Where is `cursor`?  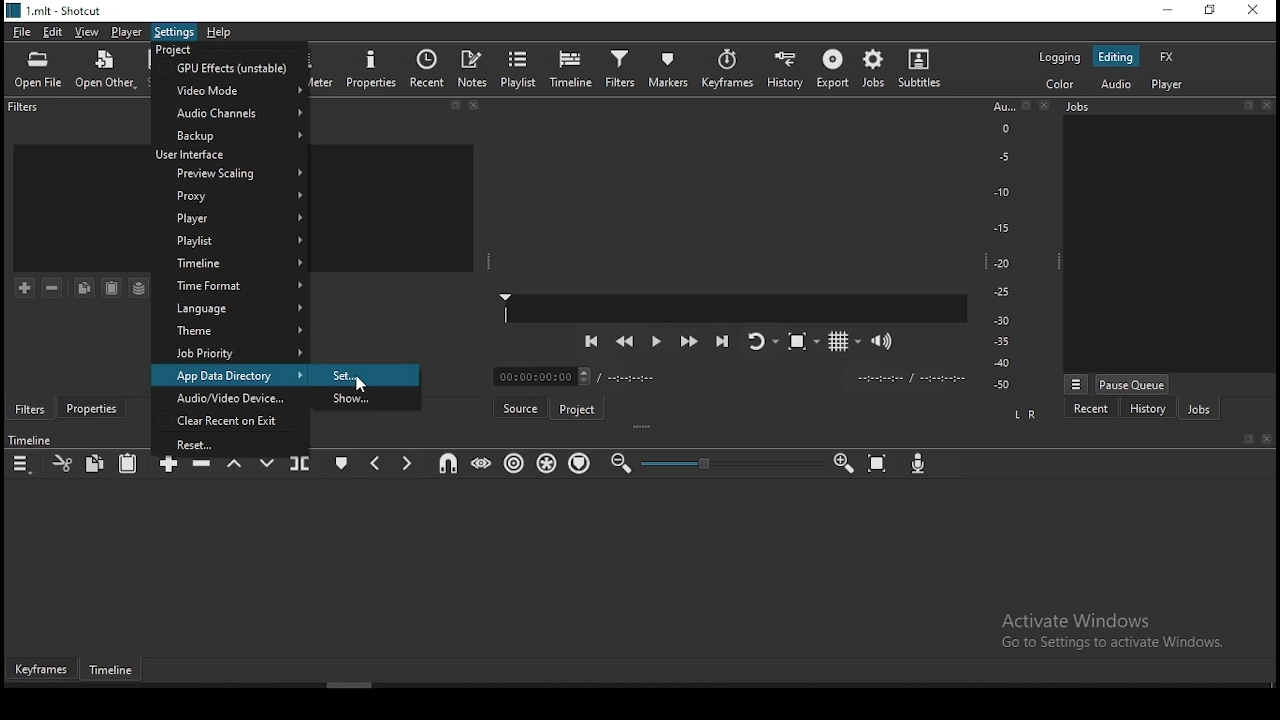
cursor is located at coordinates (366, 386).